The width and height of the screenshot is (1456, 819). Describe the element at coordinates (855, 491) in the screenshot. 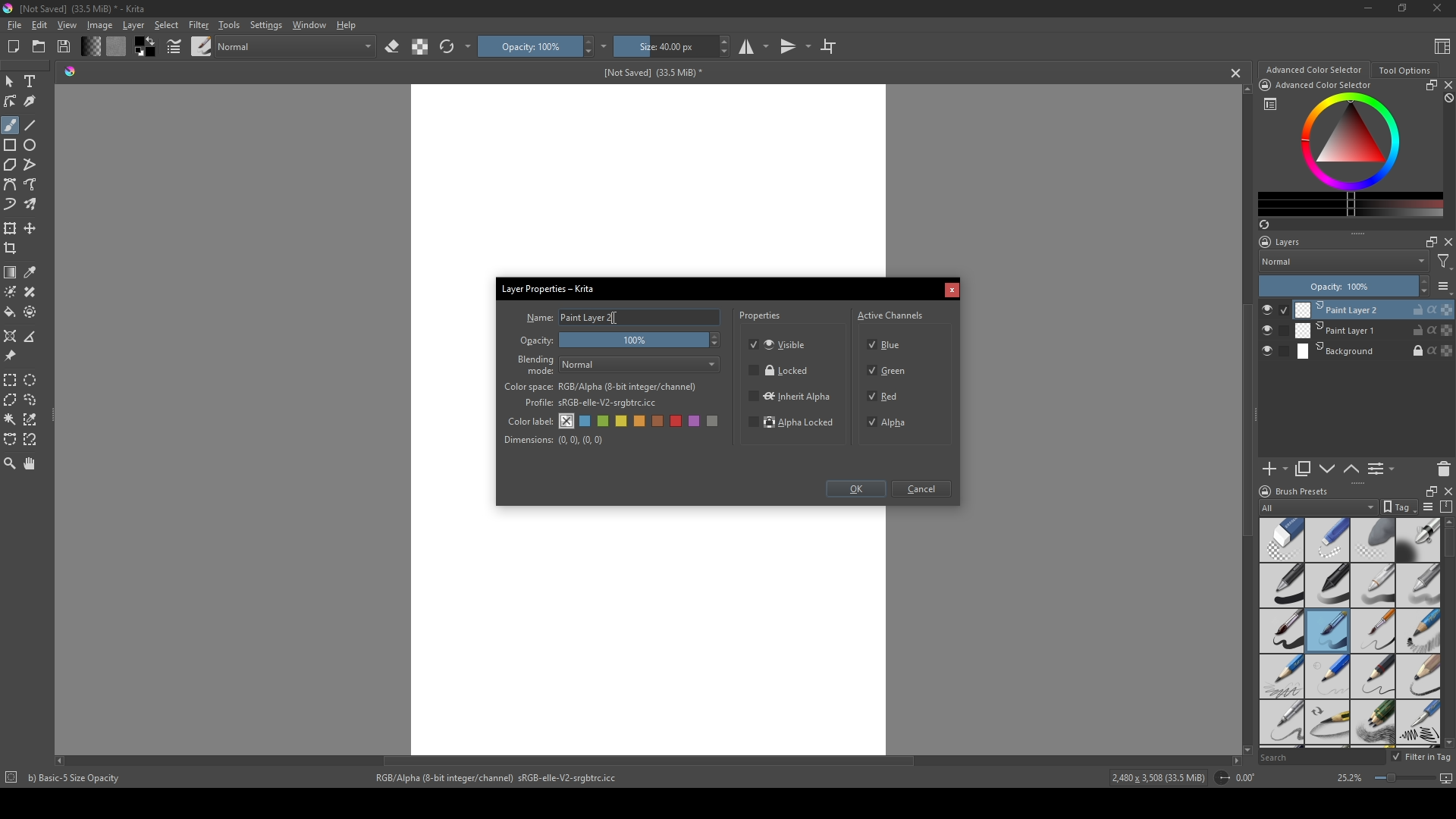

I see `OK` at that location.